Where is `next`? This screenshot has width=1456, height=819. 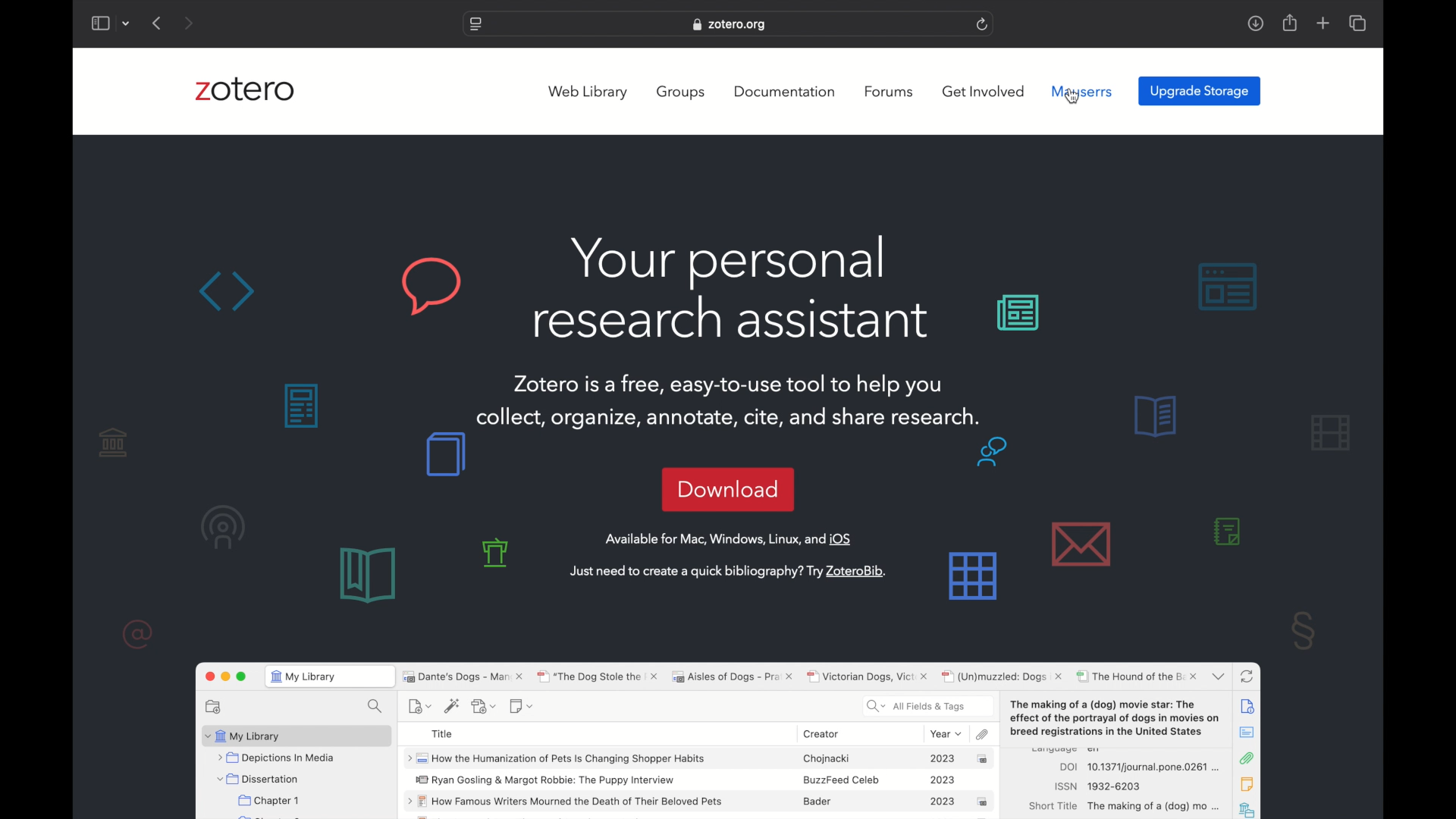
next is located at coordinates (190, 23).